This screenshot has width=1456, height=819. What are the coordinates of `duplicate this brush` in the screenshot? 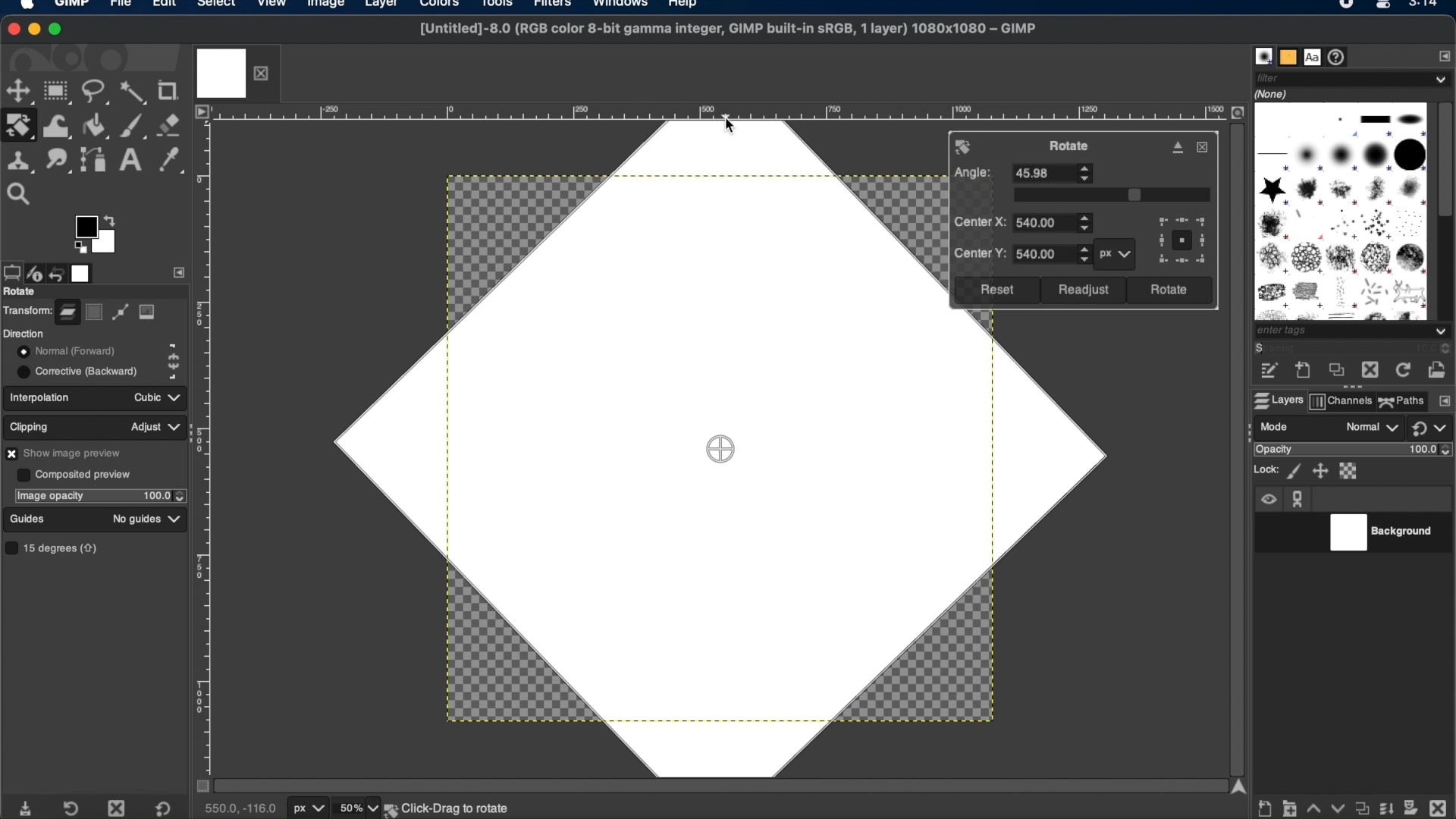 It's located at (1334, 372).